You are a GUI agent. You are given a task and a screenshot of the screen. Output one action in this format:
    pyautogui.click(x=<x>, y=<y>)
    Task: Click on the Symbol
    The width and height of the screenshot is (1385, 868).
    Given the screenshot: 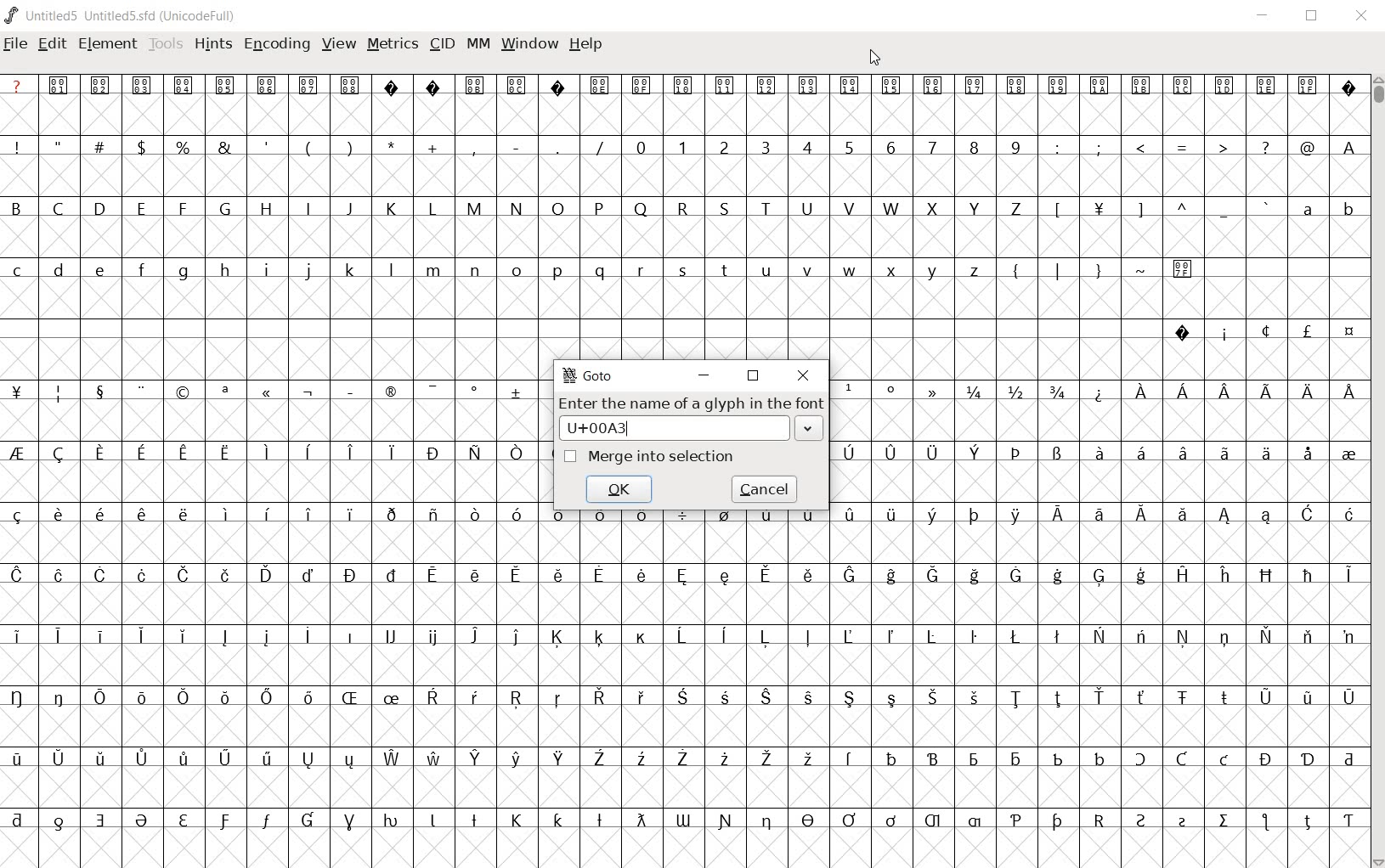 What is the action you would take?
    pyautogui.click(x=1100, y=636)
    